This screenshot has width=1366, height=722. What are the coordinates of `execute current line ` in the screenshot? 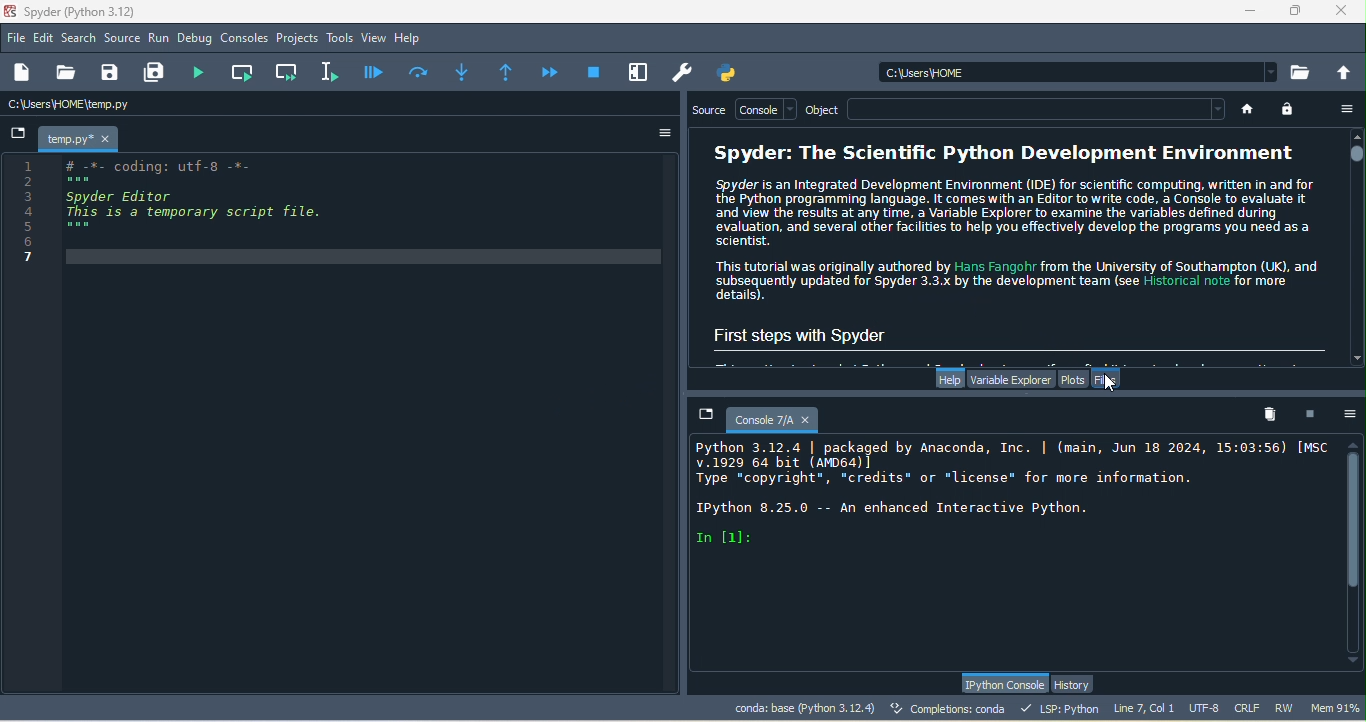 It's located at (420, 71).